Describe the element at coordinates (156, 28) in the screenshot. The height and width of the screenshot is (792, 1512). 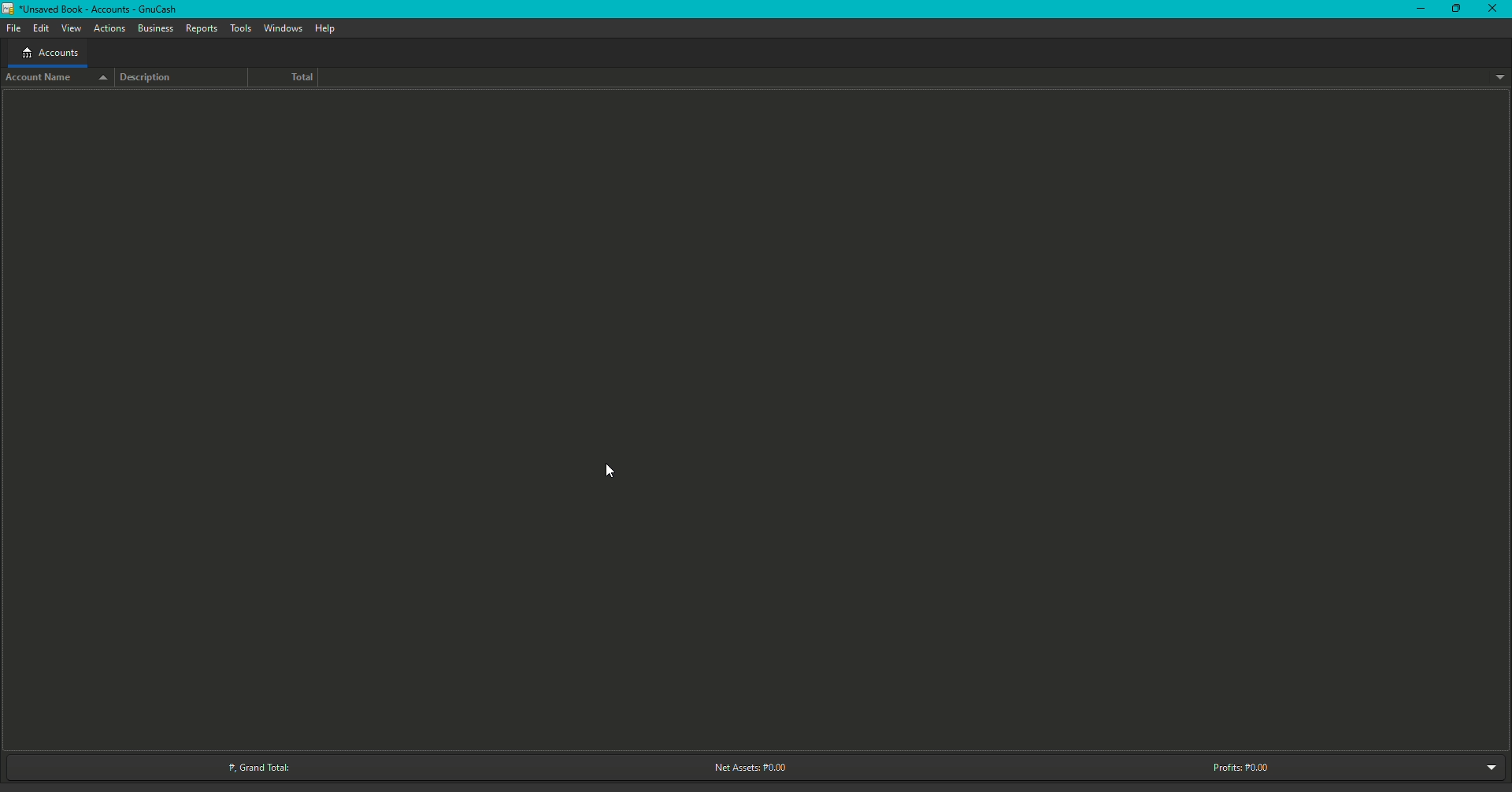
I see `Business` at that location.